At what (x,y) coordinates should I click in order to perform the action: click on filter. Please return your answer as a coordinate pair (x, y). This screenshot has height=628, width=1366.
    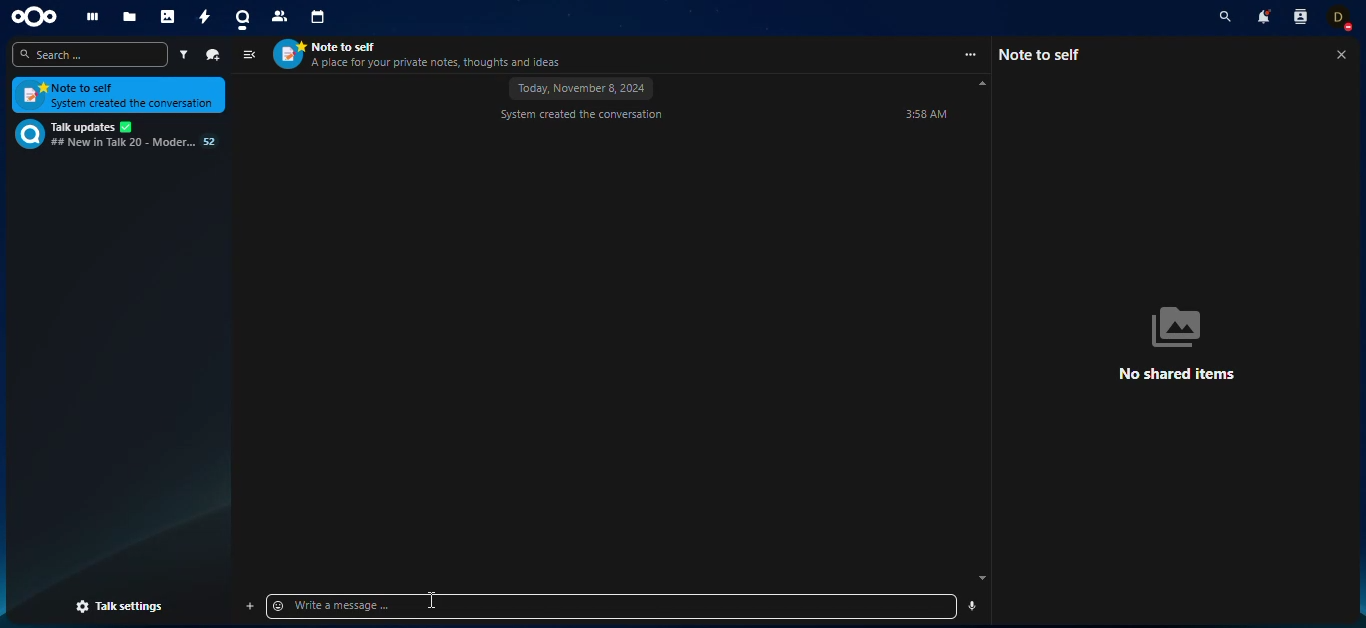
    Looking at the image, I should click on (182, 55).